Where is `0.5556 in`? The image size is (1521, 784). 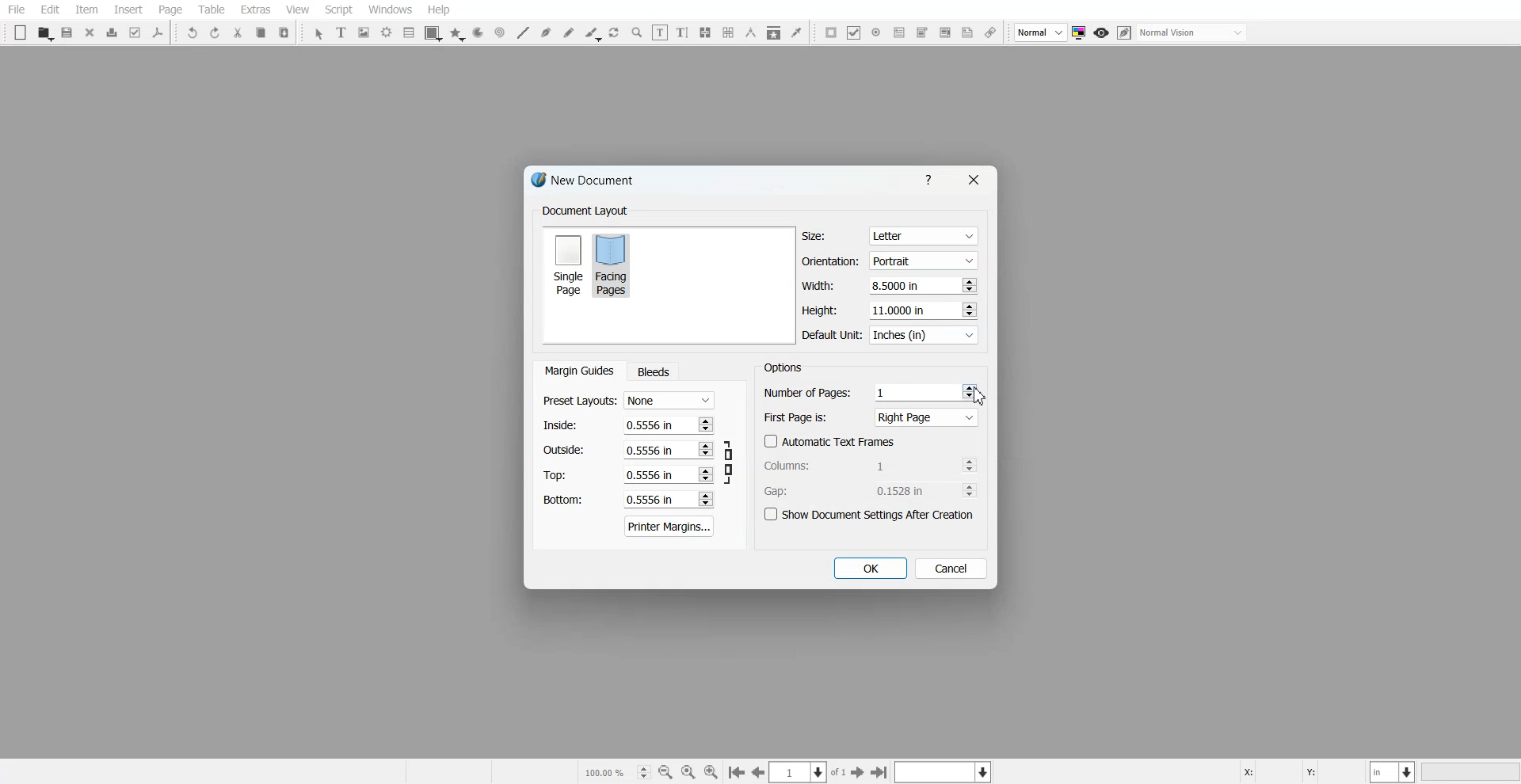 0.5556 in is located at coordinates (649, 424).